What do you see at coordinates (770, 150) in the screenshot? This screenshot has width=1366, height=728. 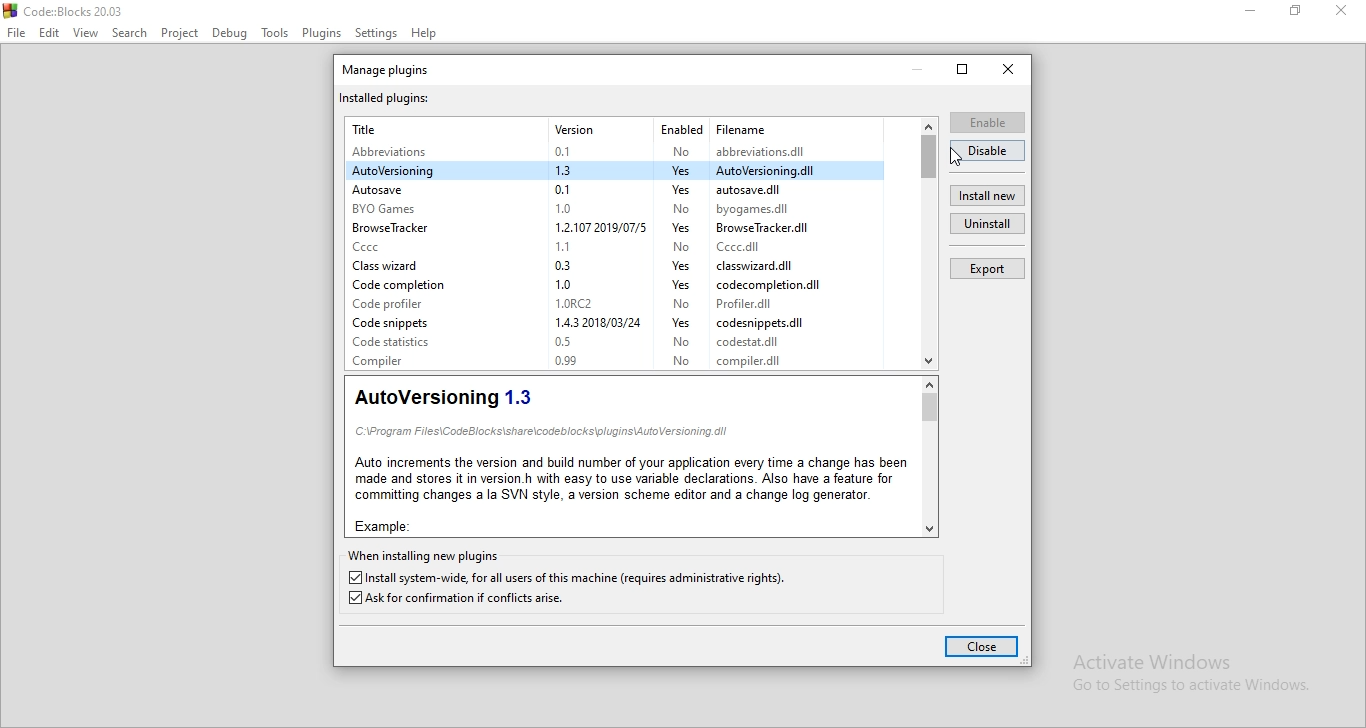 I see `abbreviations.dil` at bounding box center [770, 150].